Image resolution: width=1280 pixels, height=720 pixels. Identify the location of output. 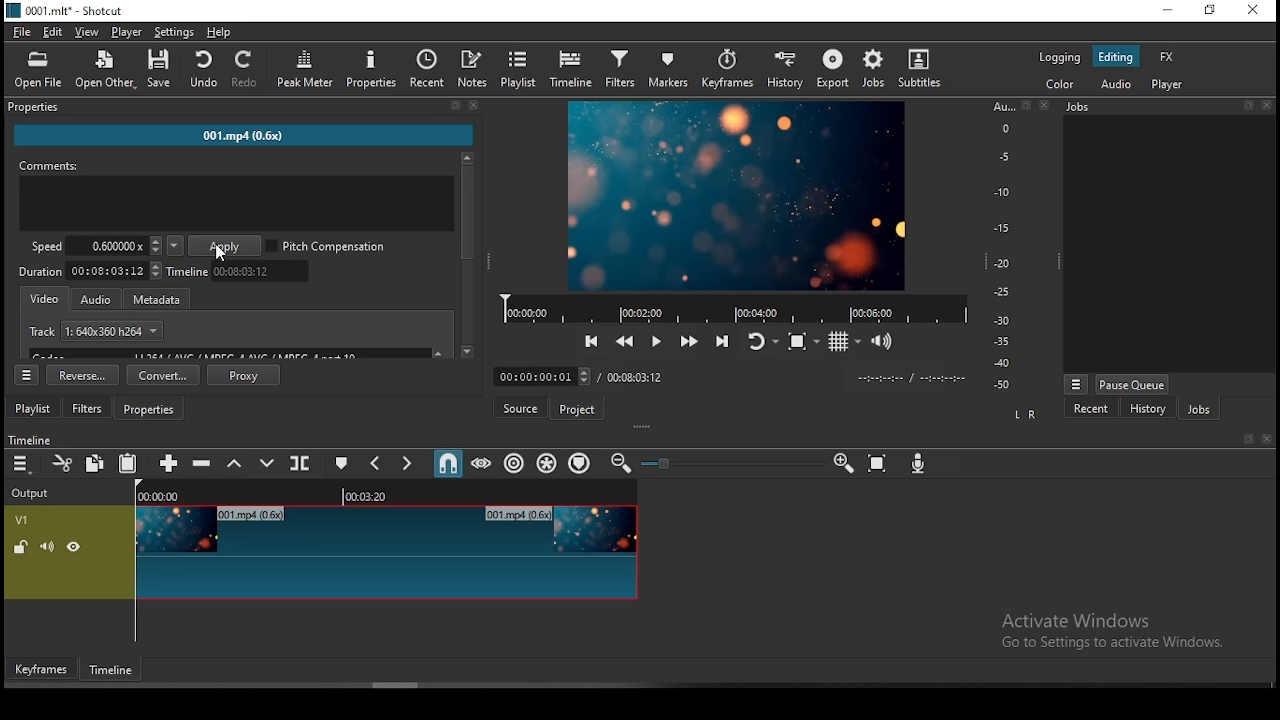
(38, 493).